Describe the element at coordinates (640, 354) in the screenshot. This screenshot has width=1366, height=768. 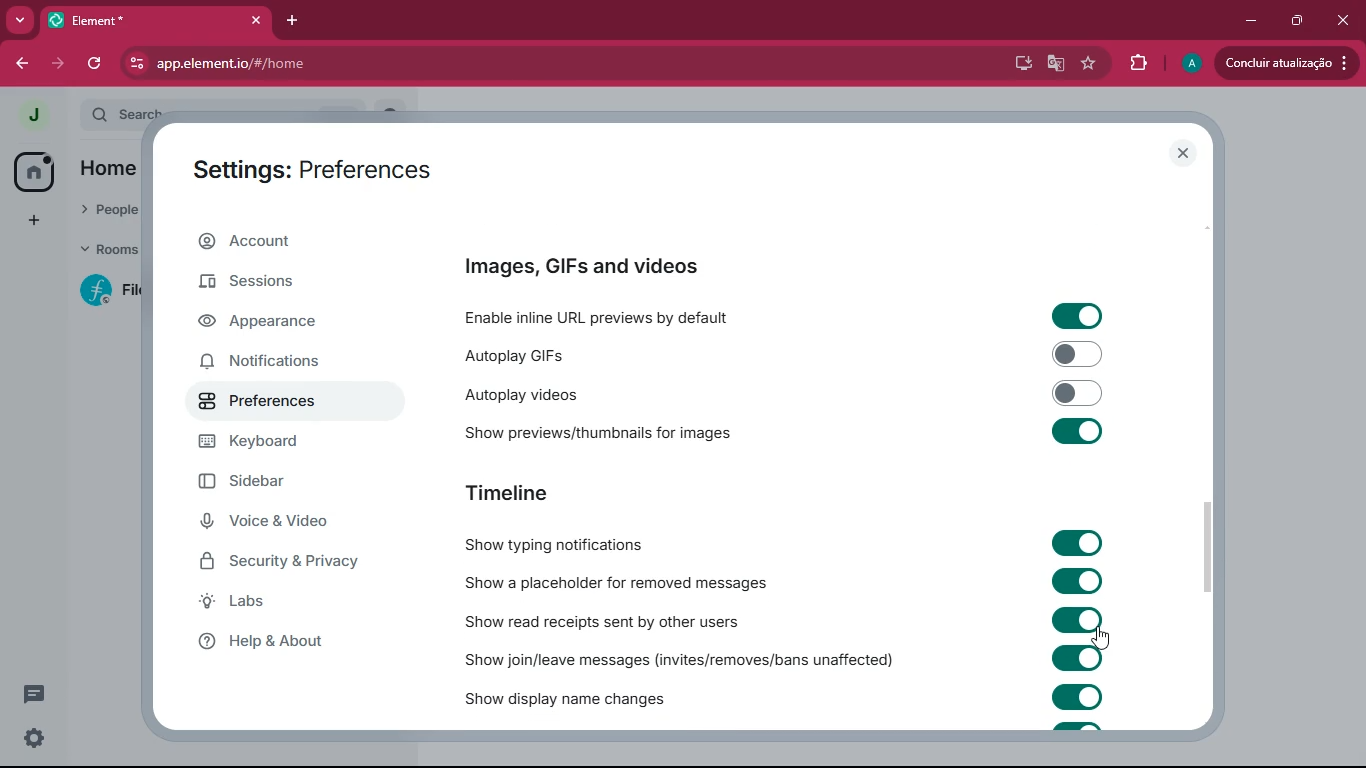
I see `autoplay GIFs` at that location.